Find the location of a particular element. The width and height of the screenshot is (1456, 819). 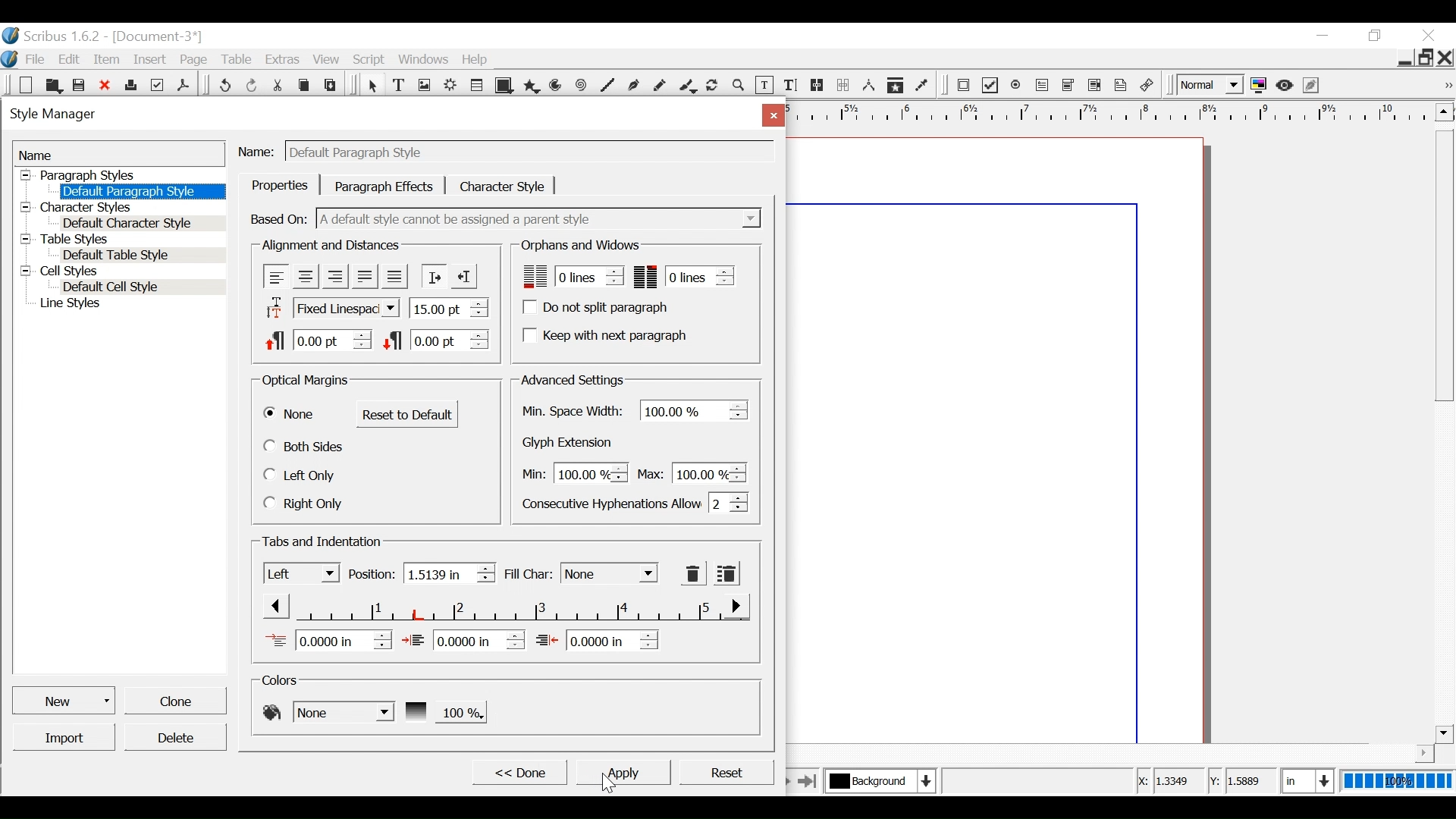

Align left is located at coordinates (277, 276).